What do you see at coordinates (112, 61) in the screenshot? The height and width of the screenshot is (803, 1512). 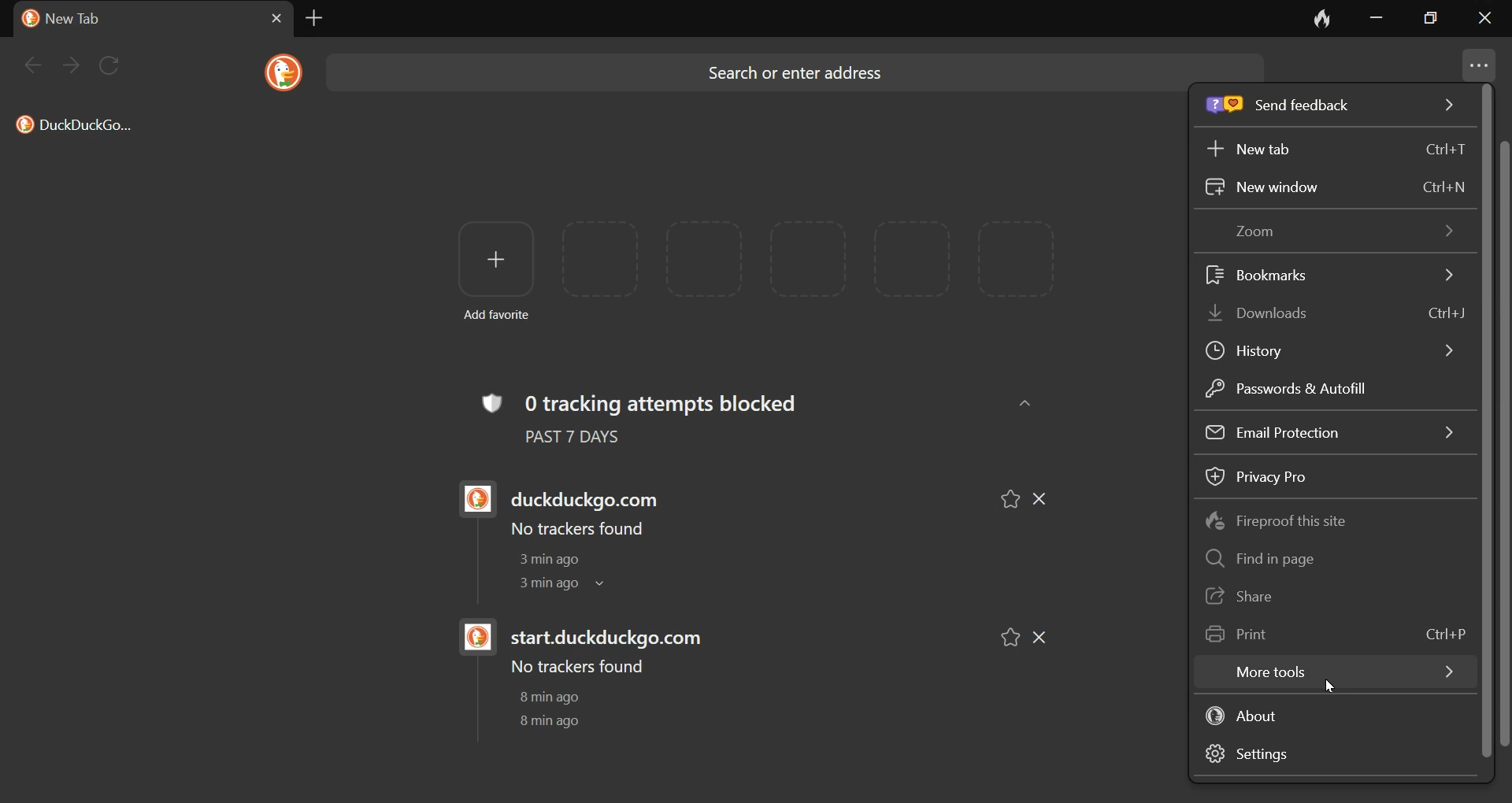 I see `refresh` at bounding box center [112, 61].